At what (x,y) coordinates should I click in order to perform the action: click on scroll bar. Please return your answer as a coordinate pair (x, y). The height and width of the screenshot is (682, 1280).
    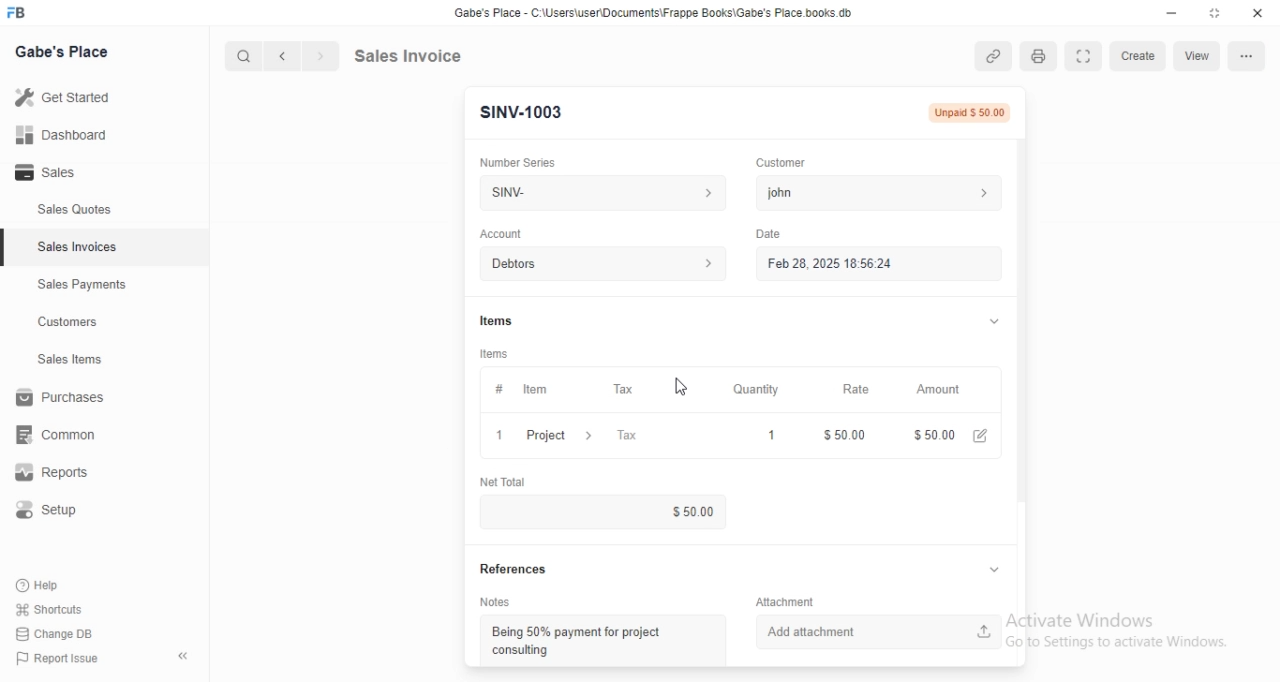
    Looking at the image, I should click on (1021, 321).